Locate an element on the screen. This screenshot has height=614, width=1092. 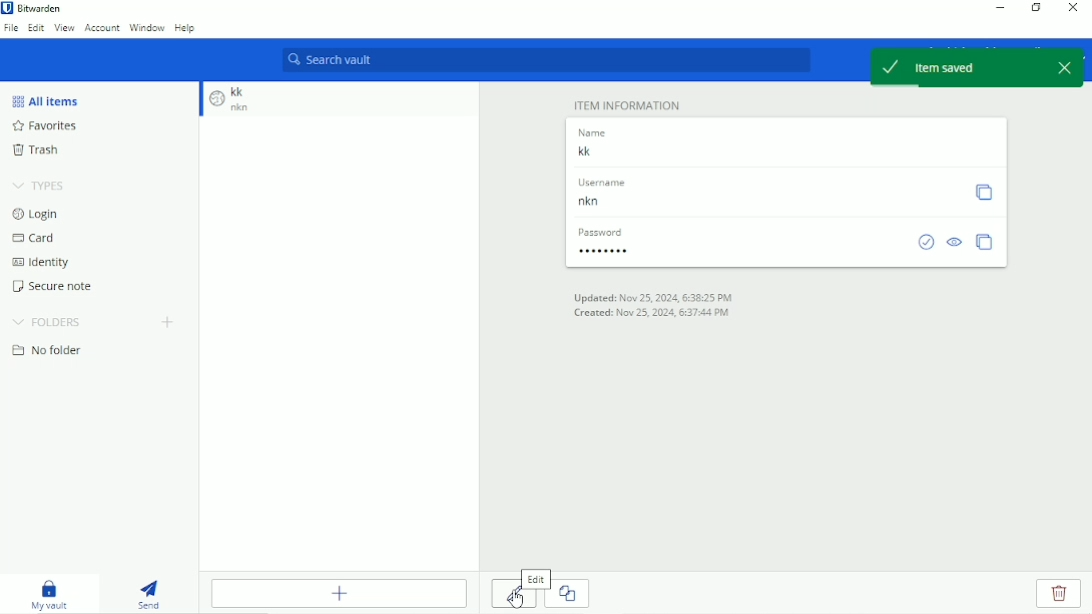
Send is located at coordinates (148, 595).